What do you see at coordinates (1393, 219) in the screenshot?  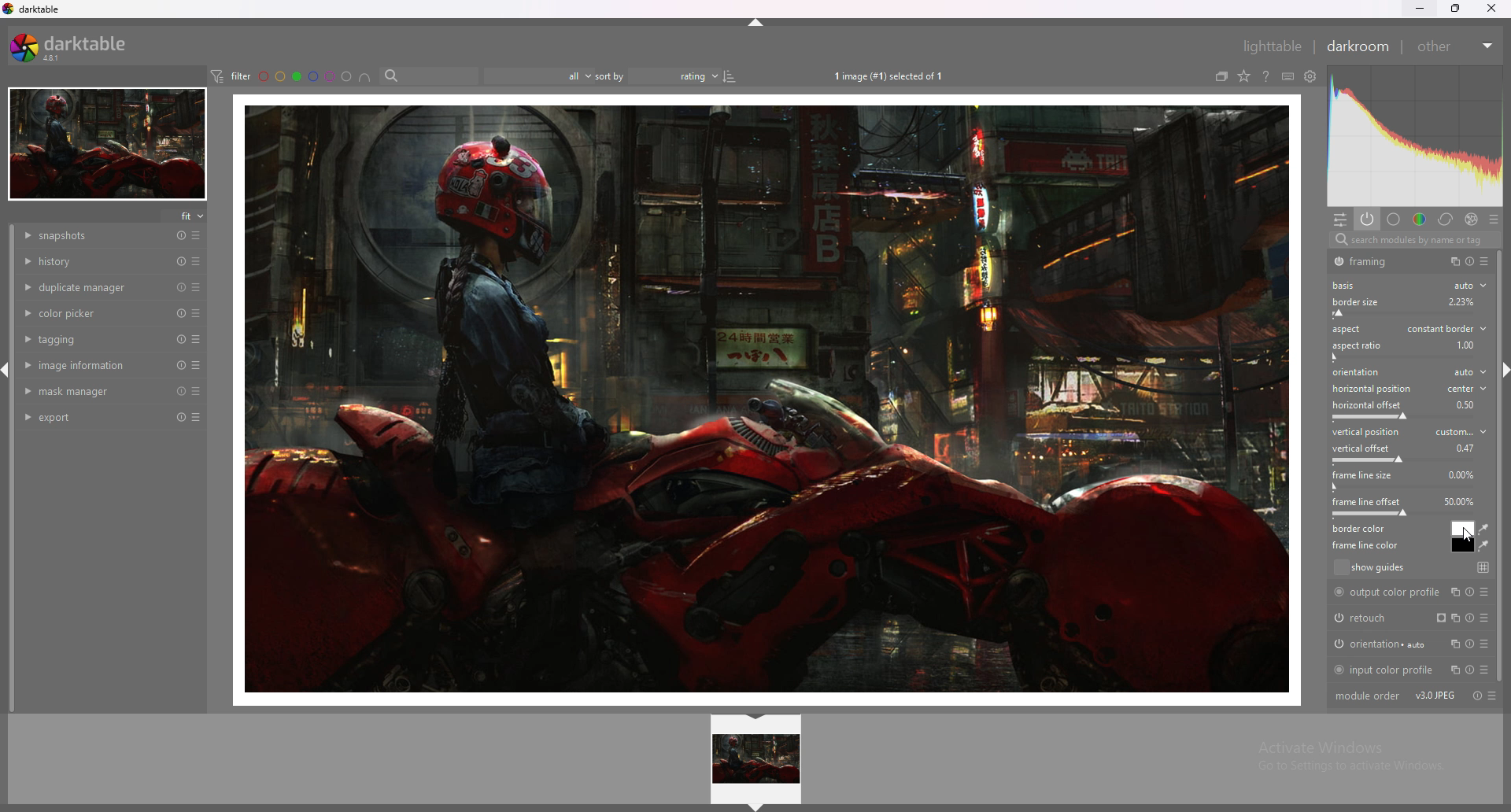 I see `base` at bounding box center [1393, 219].